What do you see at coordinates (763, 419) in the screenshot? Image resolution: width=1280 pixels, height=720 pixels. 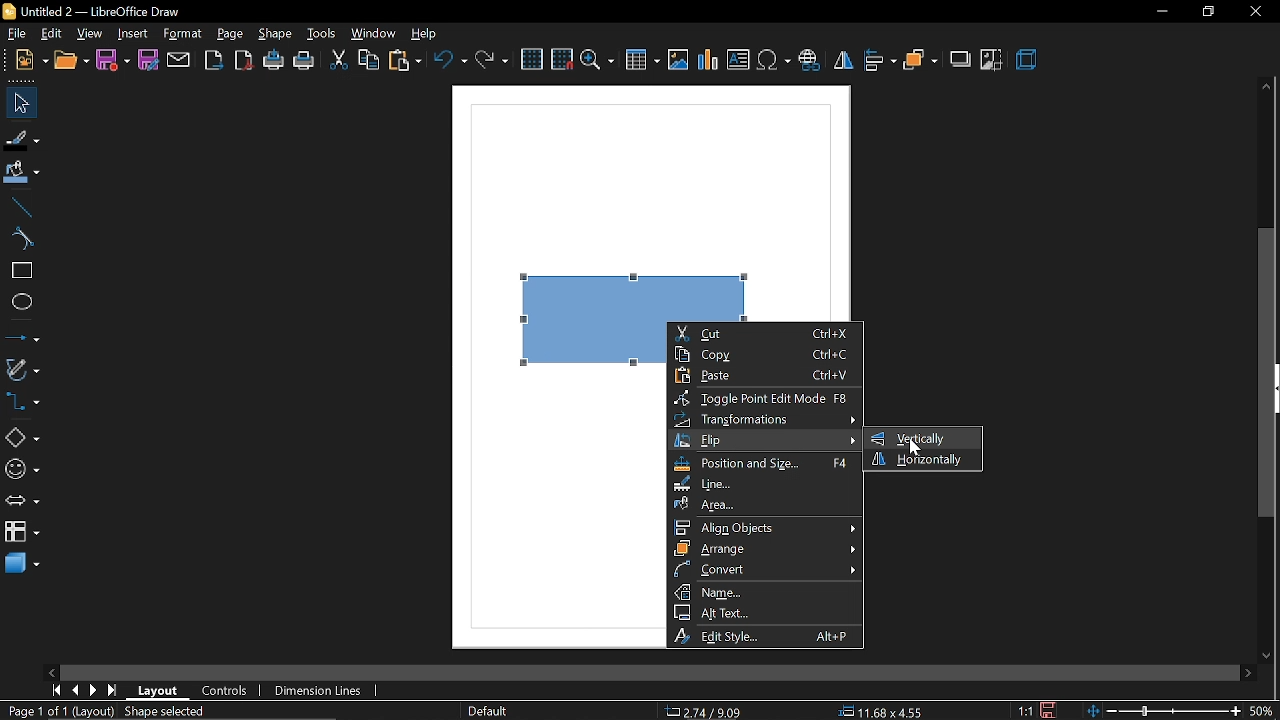 I see `transformation` at bounding box center [763, 419].